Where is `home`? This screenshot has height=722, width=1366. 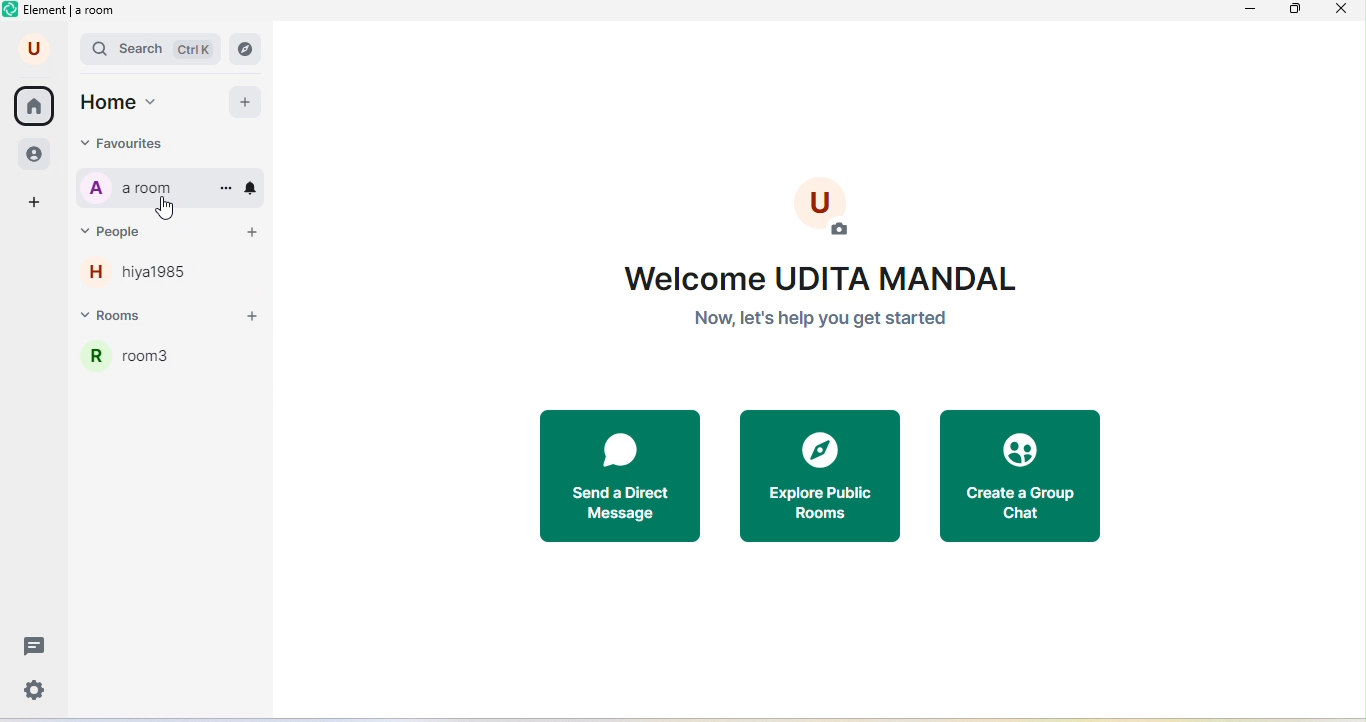 home is located at coordinates (36, 107).